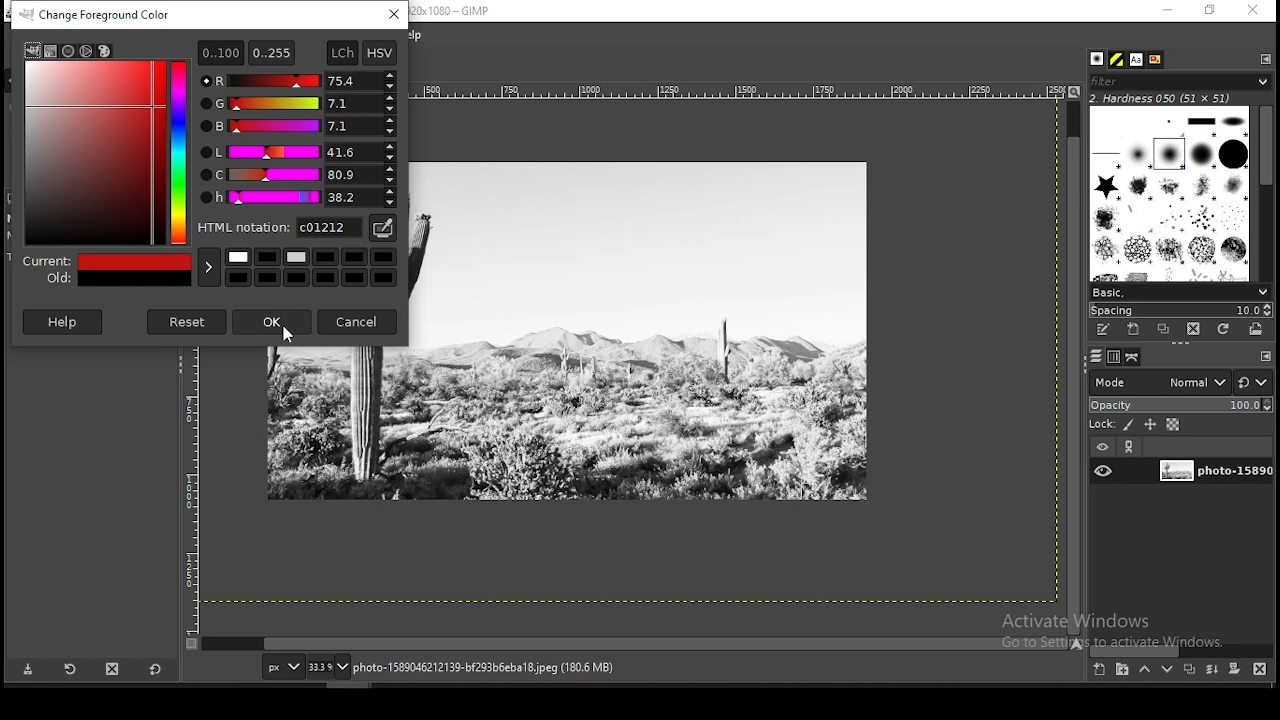 The height and width of the screenshot is (720, 1280). What do you see at coordinates (1178, 291) in the screenshot?
I see `select brush preset` at bounding box center [1178, 291].